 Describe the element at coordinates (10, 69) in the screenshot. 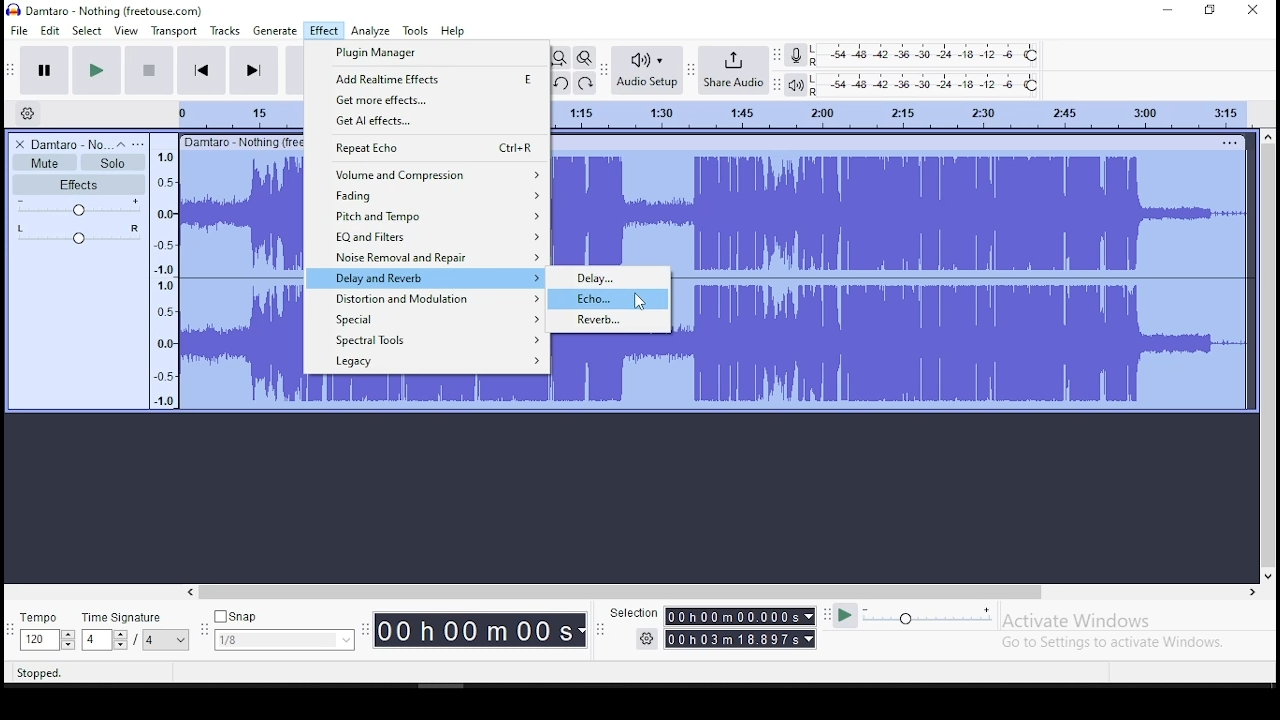

I see `` at that location.